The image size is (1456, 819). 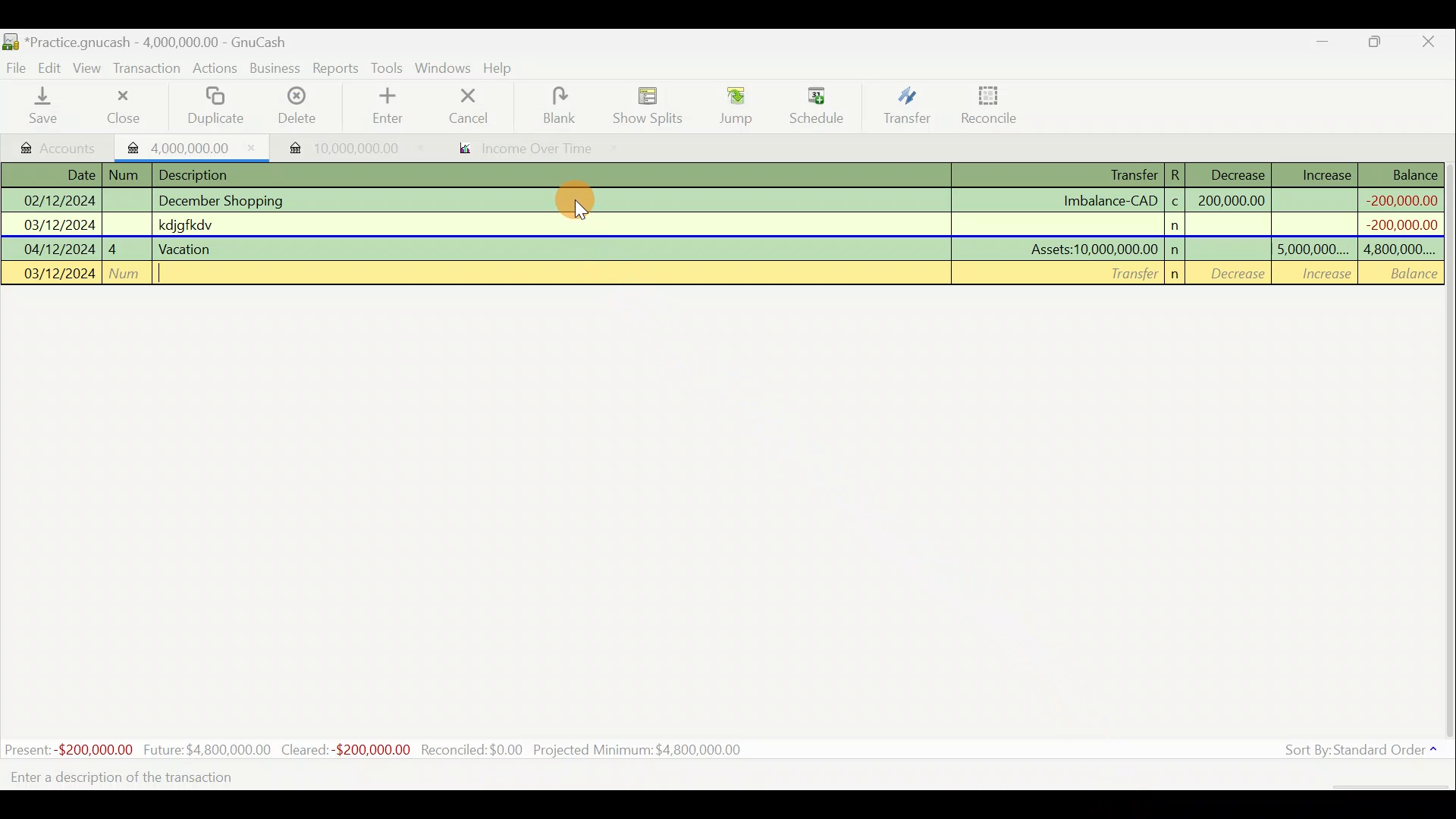 What do you see at coordinates (336, 68) in the screenshot?
I see `Reports` at bounding box center [336, 68].